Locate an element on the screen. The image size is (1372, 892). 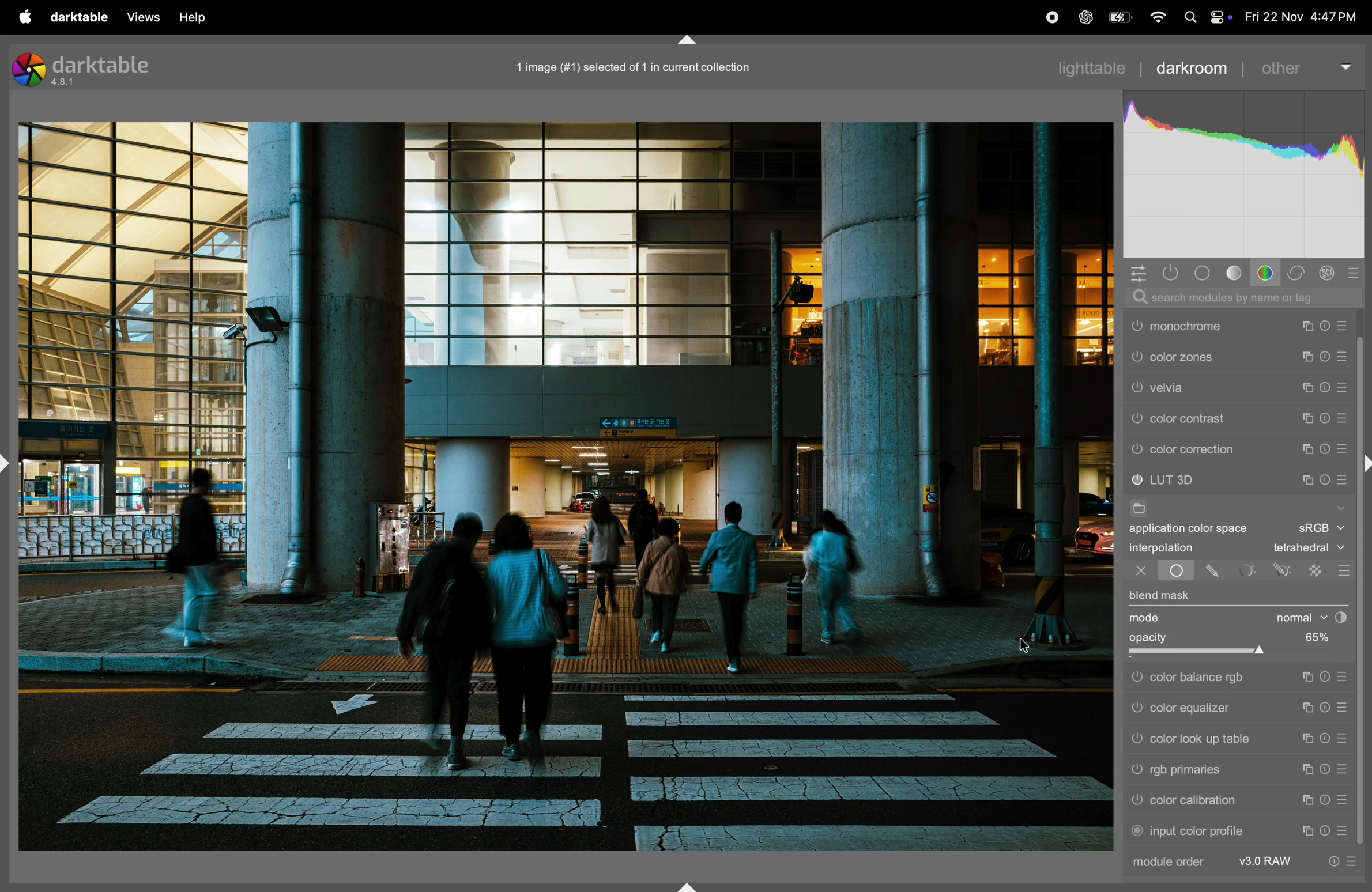
LUT 3d is located at coordinates (1219, 478).